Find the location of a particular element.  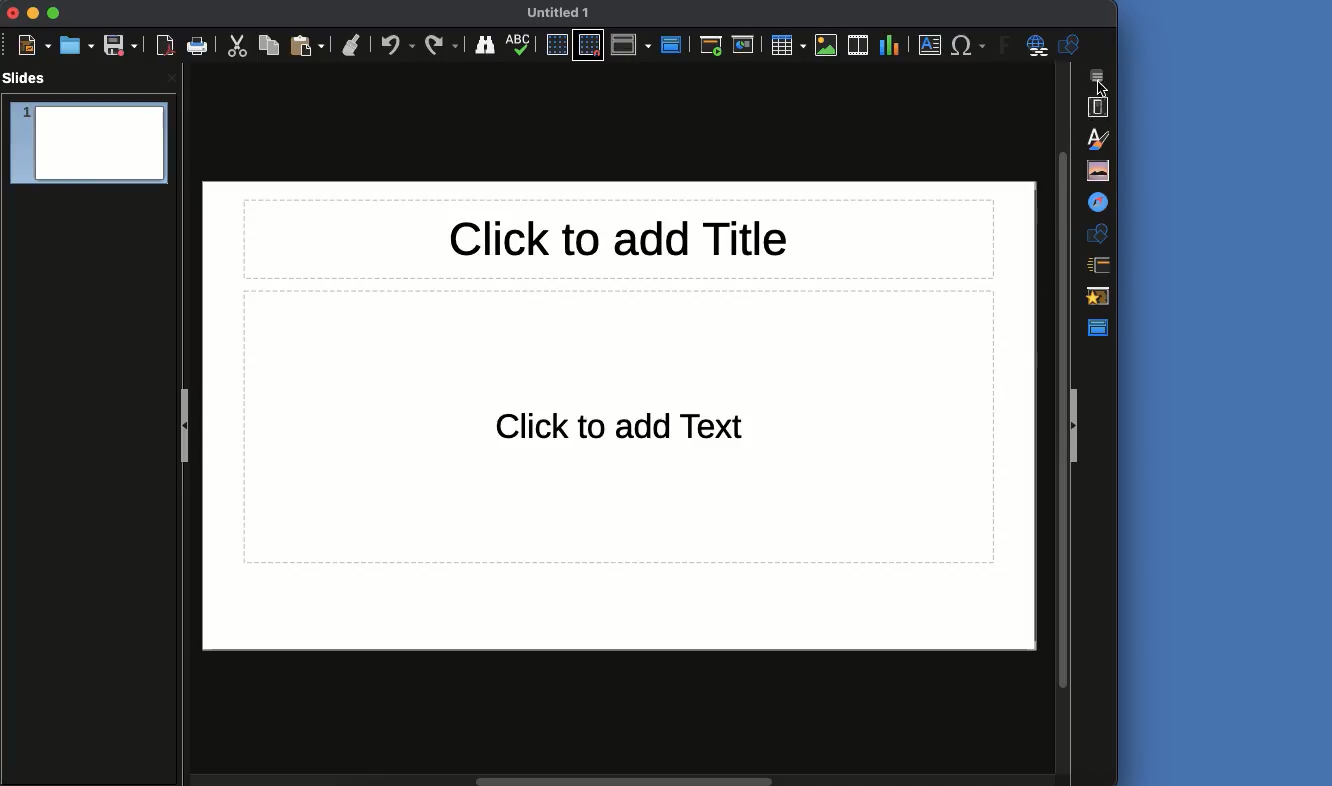

Audio or video is located at coordinates (857, 43).